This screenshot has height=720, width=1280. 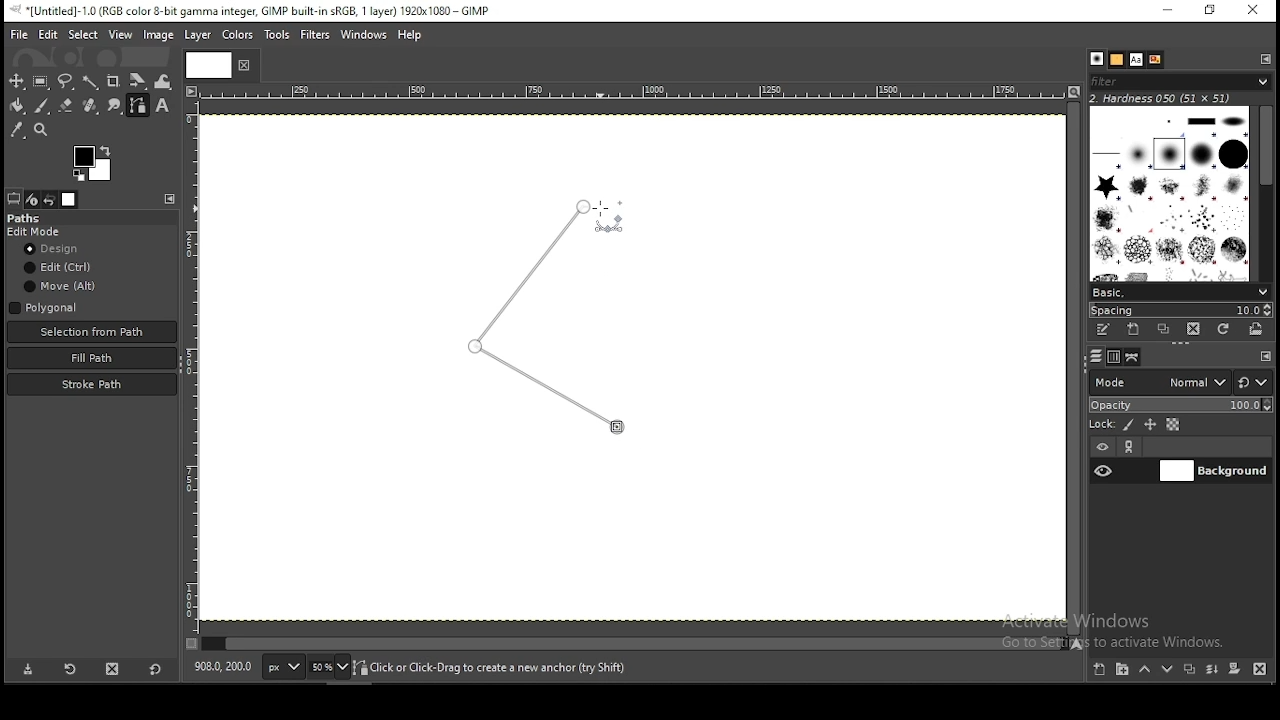 I want to click on refresh  tool preset, so click(x=69, y=671).